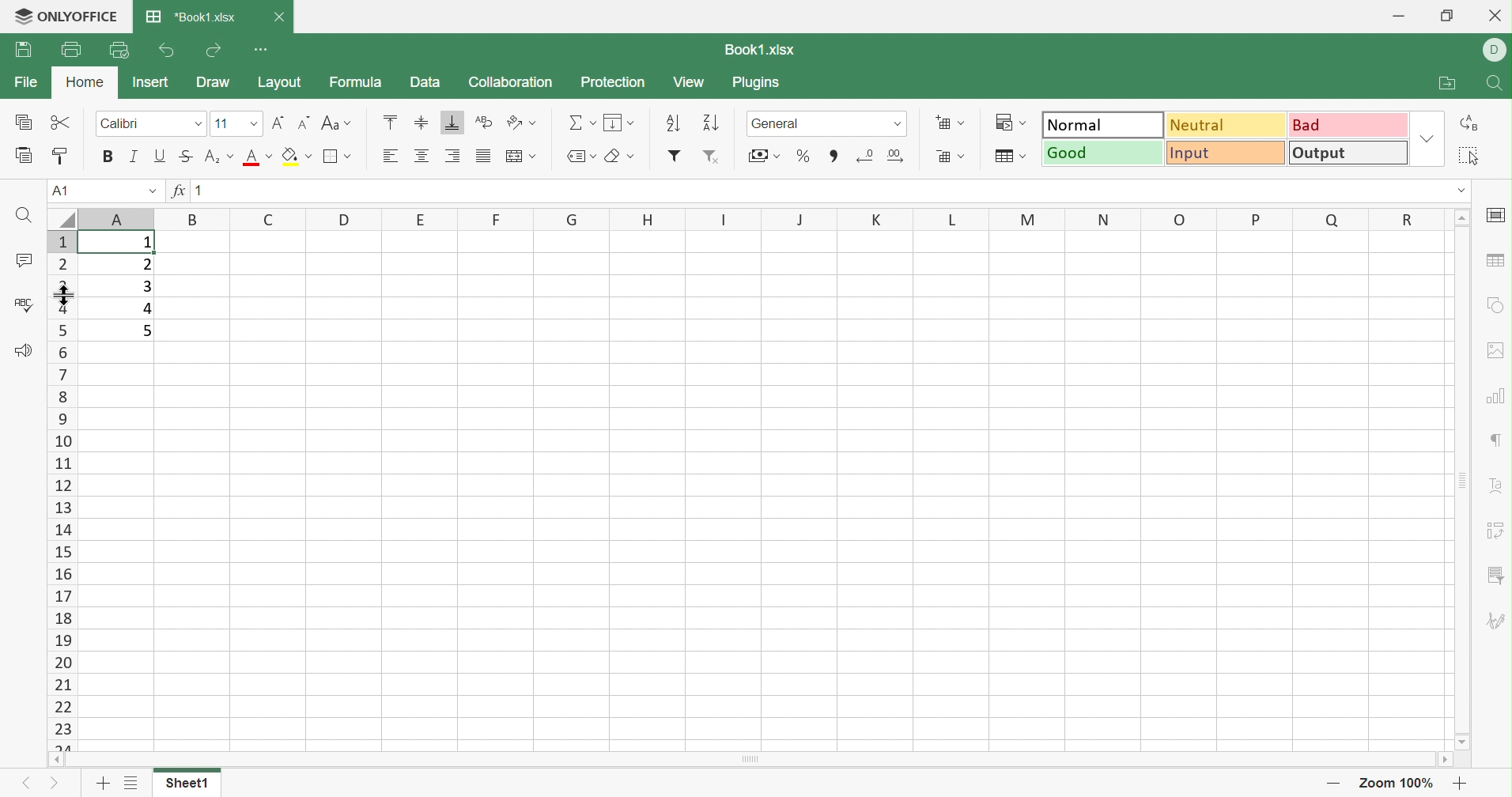  Describe the element at coordinates (350, 156) in the screenshot. I see `Drop Down` at that location.